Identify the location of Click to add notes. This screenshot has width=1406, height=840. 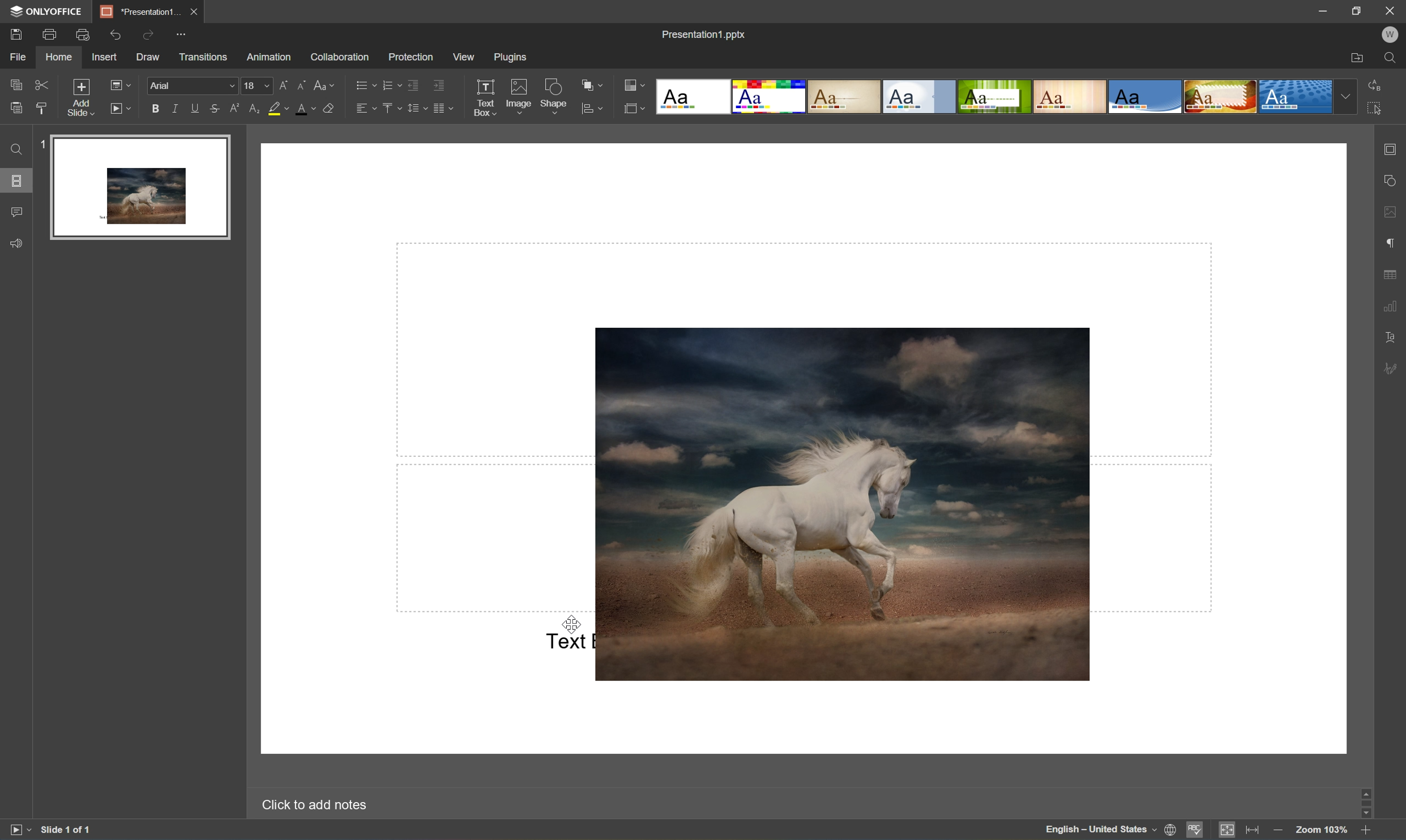
(320, 807).